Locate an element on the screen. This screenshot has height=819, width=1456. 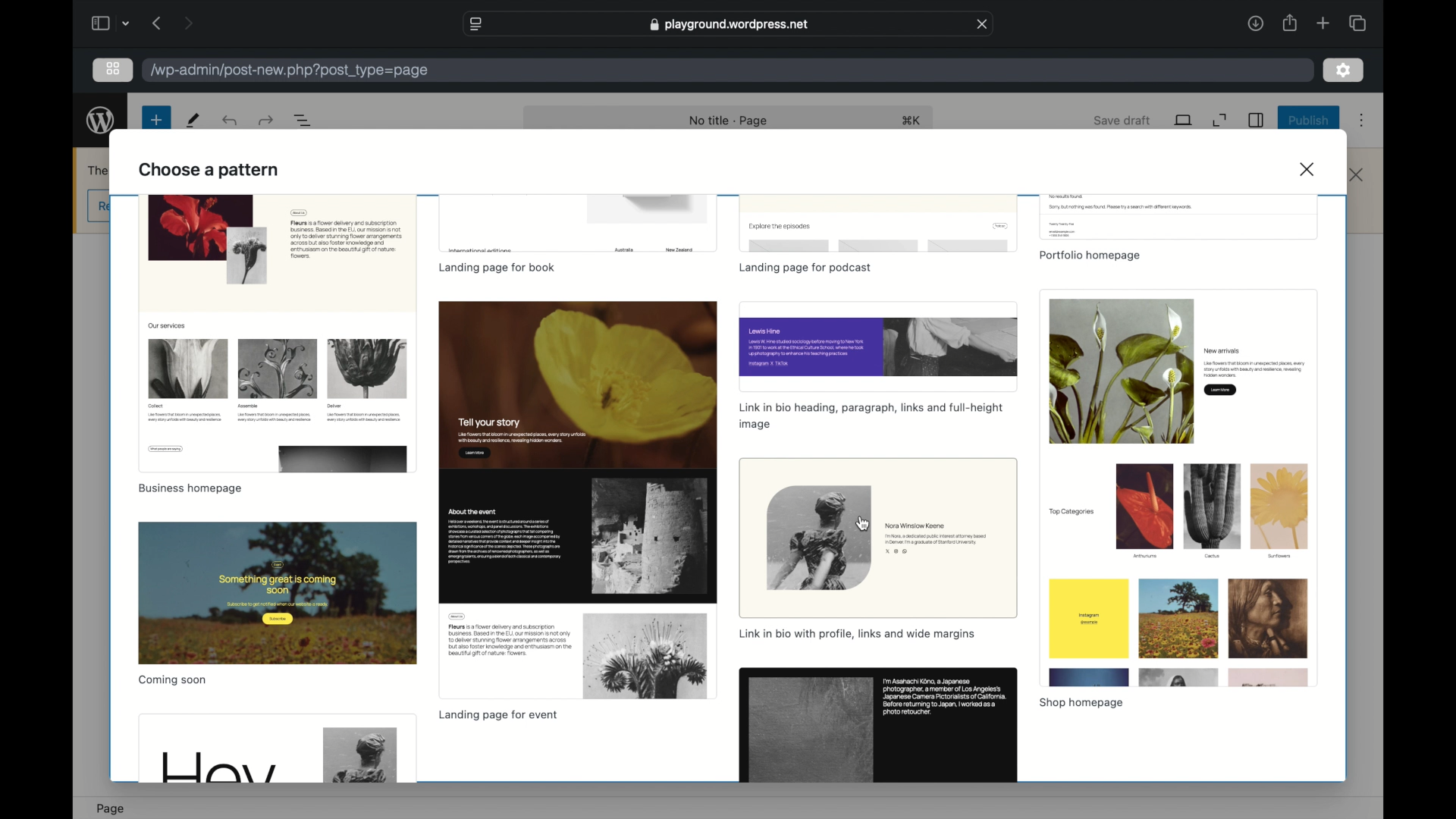
tools is located at coordinates (194, 120).